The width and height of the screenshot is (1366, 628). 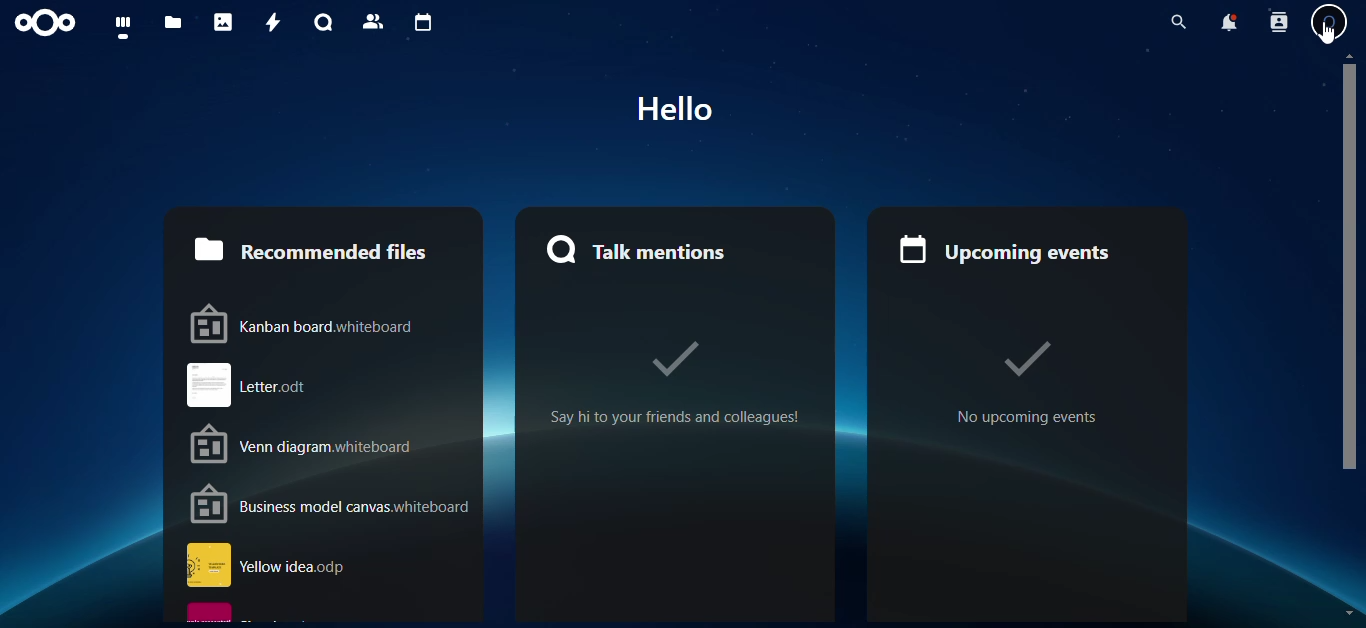 What do you see at coordinates (675, 360) in the screenshot?
I see `Tick mark` at bounding box center [675, 360].